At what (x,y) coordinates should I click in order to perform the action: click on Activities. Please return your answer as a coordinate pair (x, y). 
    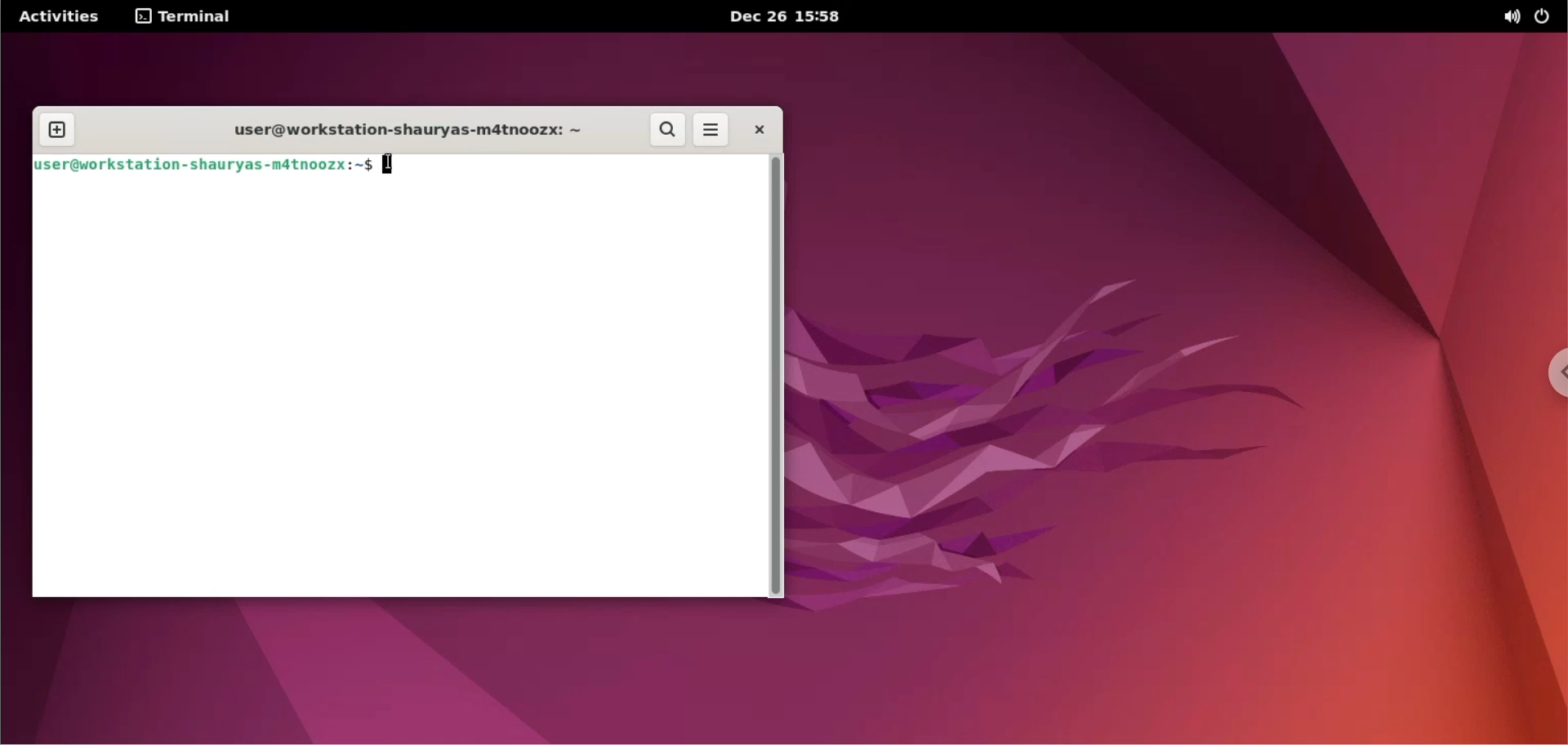
    Looking at the image, I should click on (60, 16).